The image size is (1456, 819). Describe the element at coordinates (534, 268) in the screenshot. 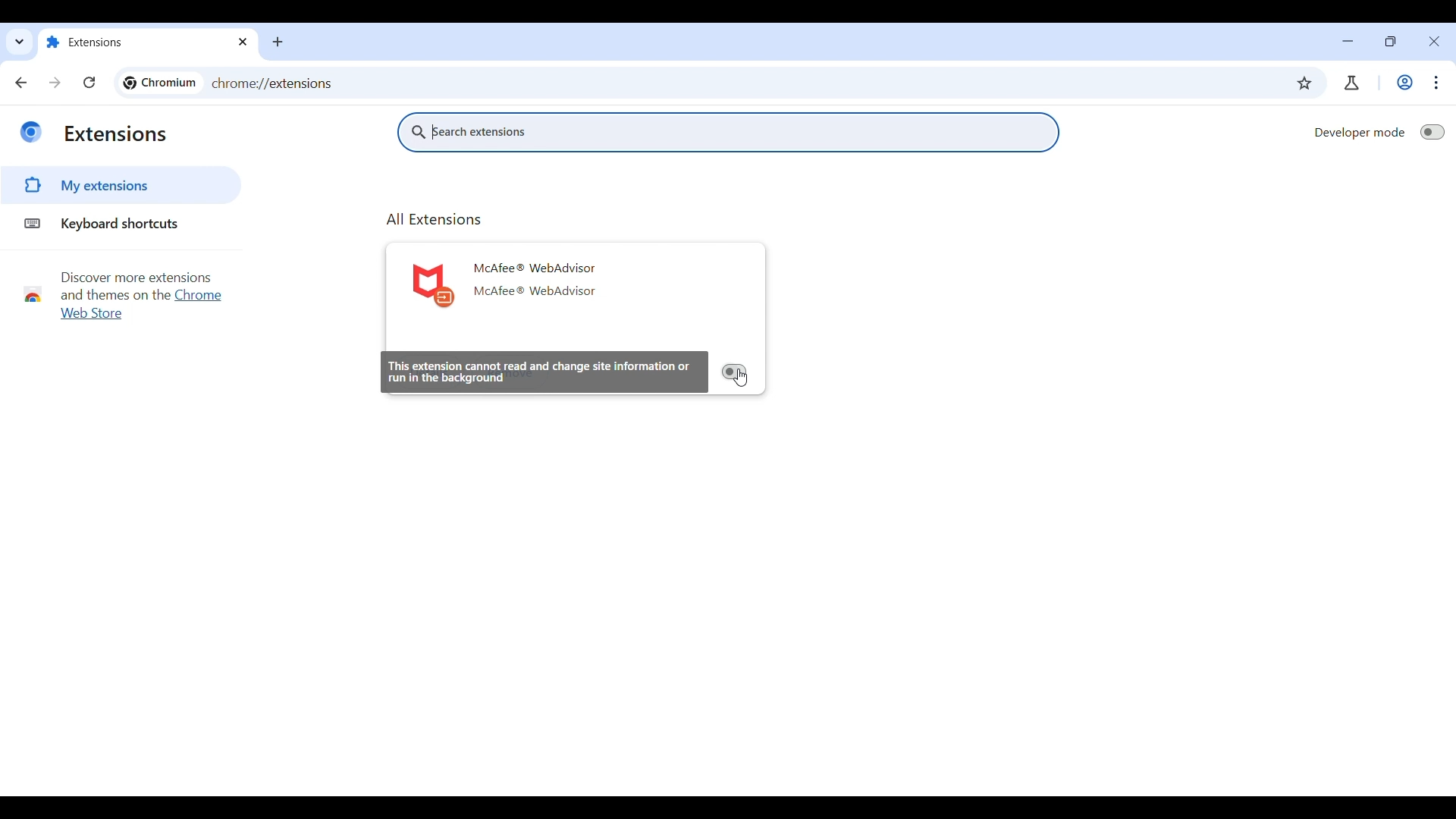

I see `McAfee ® WebAdvisor` at that location.